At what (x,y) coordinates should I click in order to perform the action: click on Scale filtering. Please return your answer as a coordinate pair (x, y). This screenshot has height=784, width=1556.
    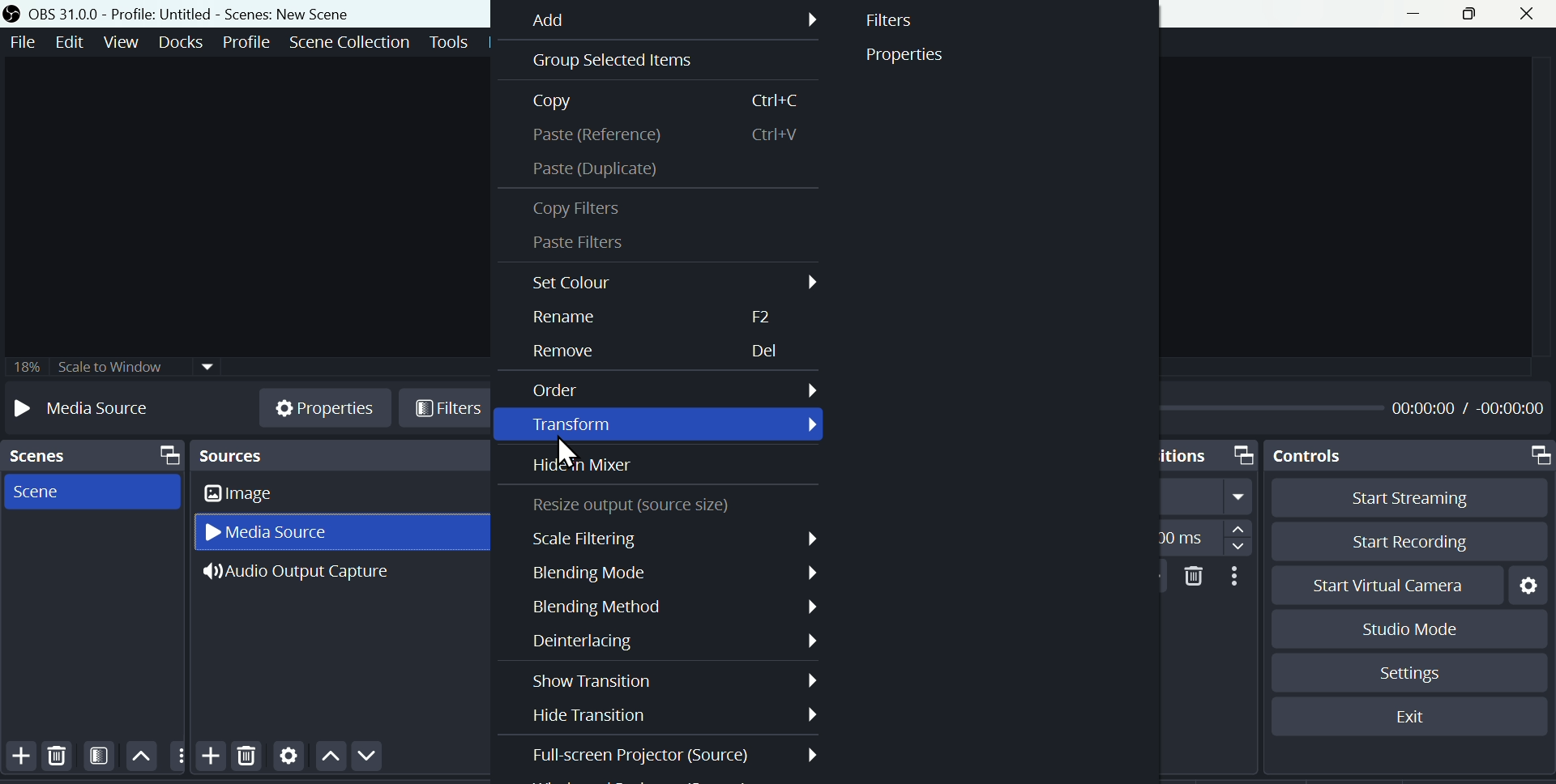
    Looking at the image, I should click on (673, 538).